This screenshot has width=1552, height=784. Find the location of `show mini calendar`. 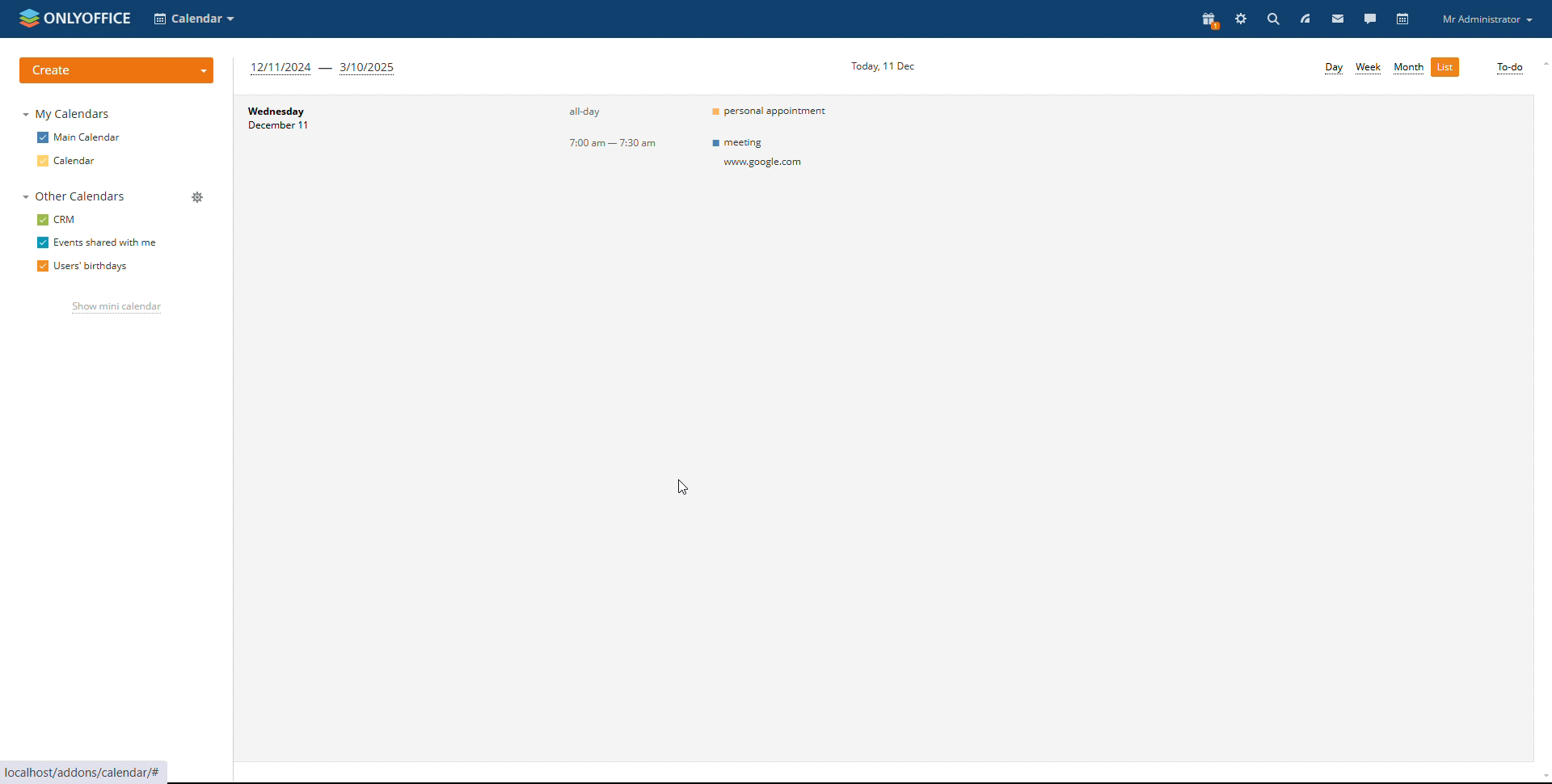

show mini calendar is located at coordinates (116, 307).